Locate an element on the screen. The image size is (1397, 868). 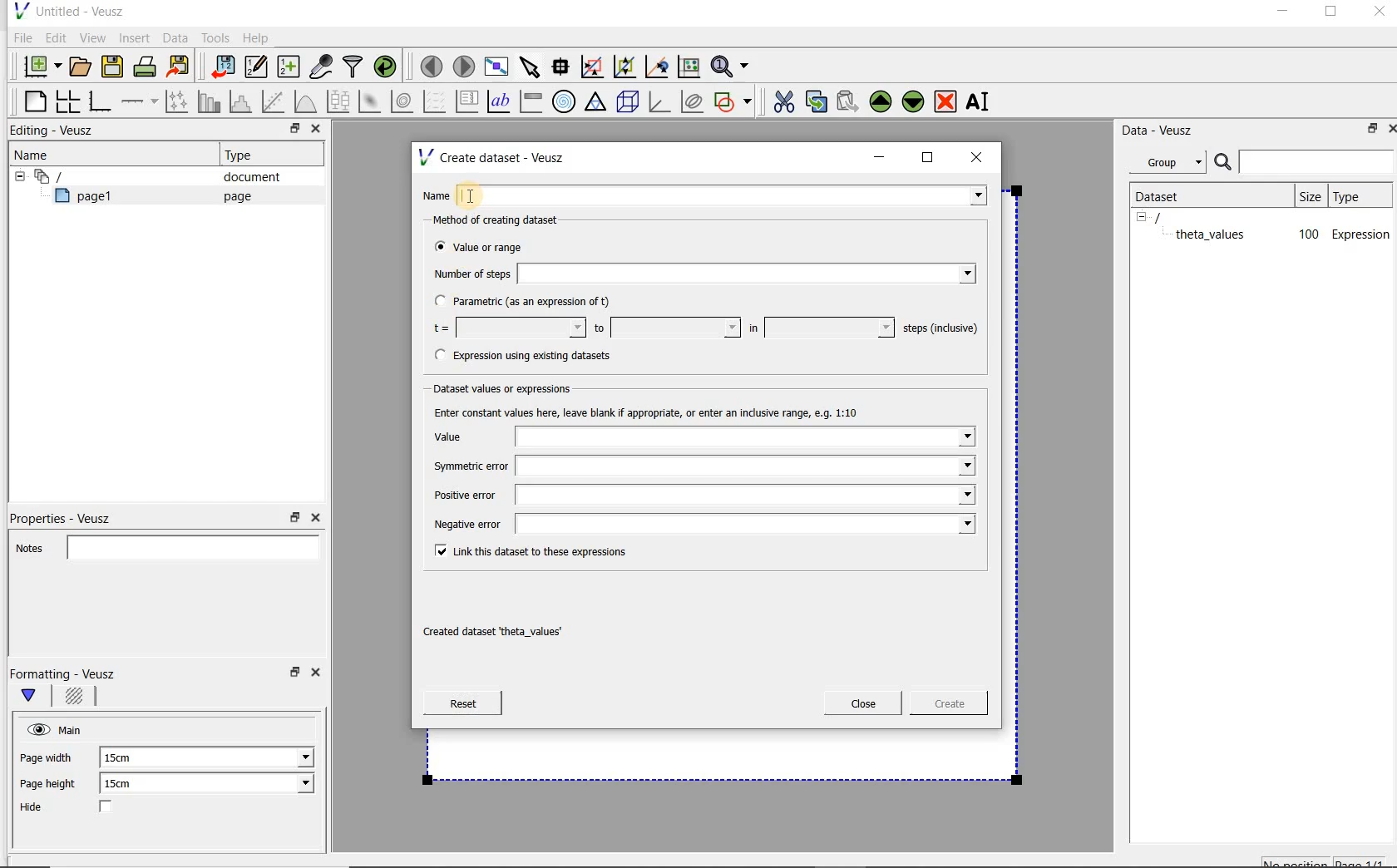
plot a 2d dataset as an image is located at coordinates (372, 102).